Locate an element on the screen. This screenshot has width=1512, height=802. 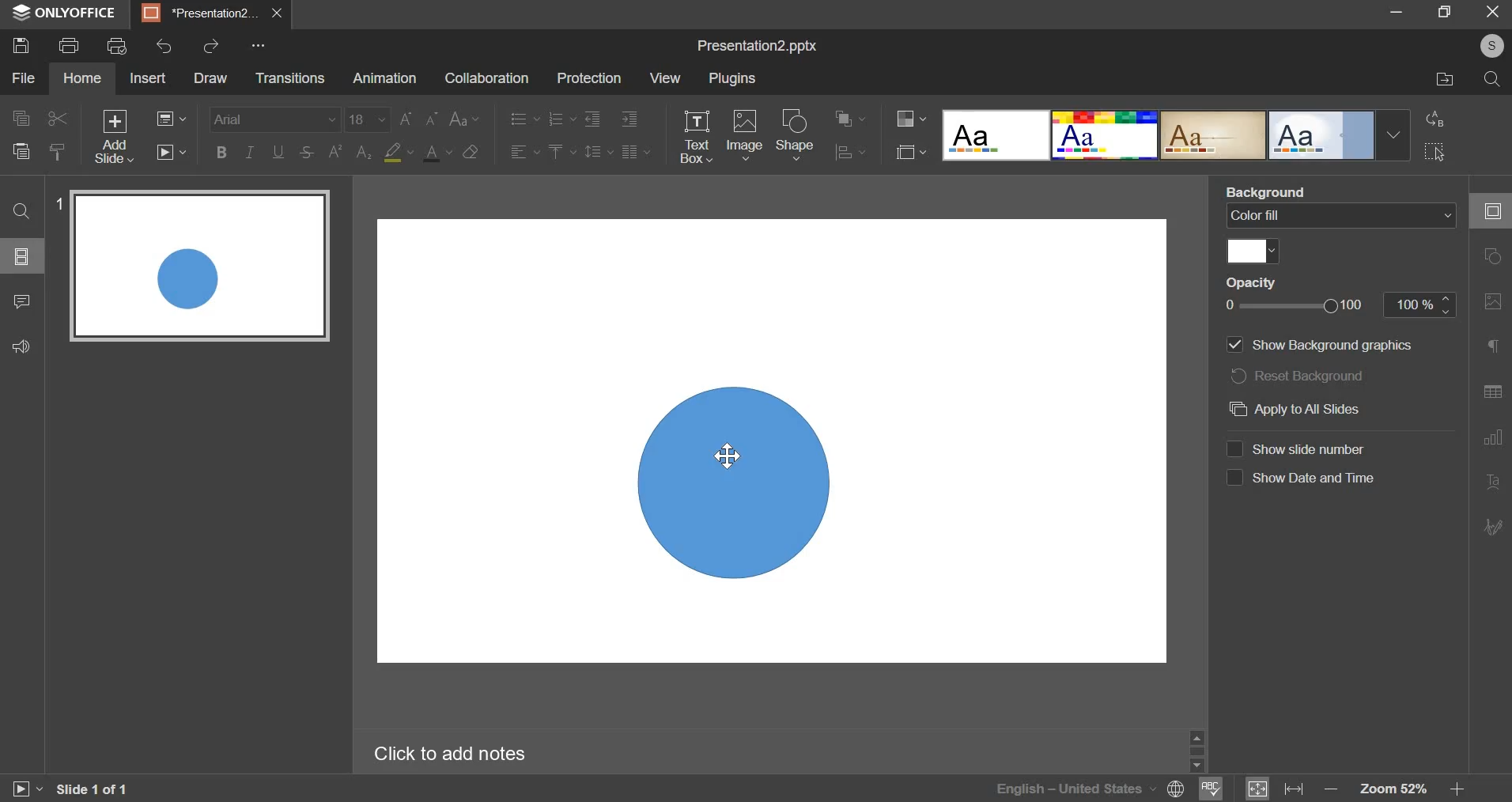
draw is located at coordinates (212, 78).